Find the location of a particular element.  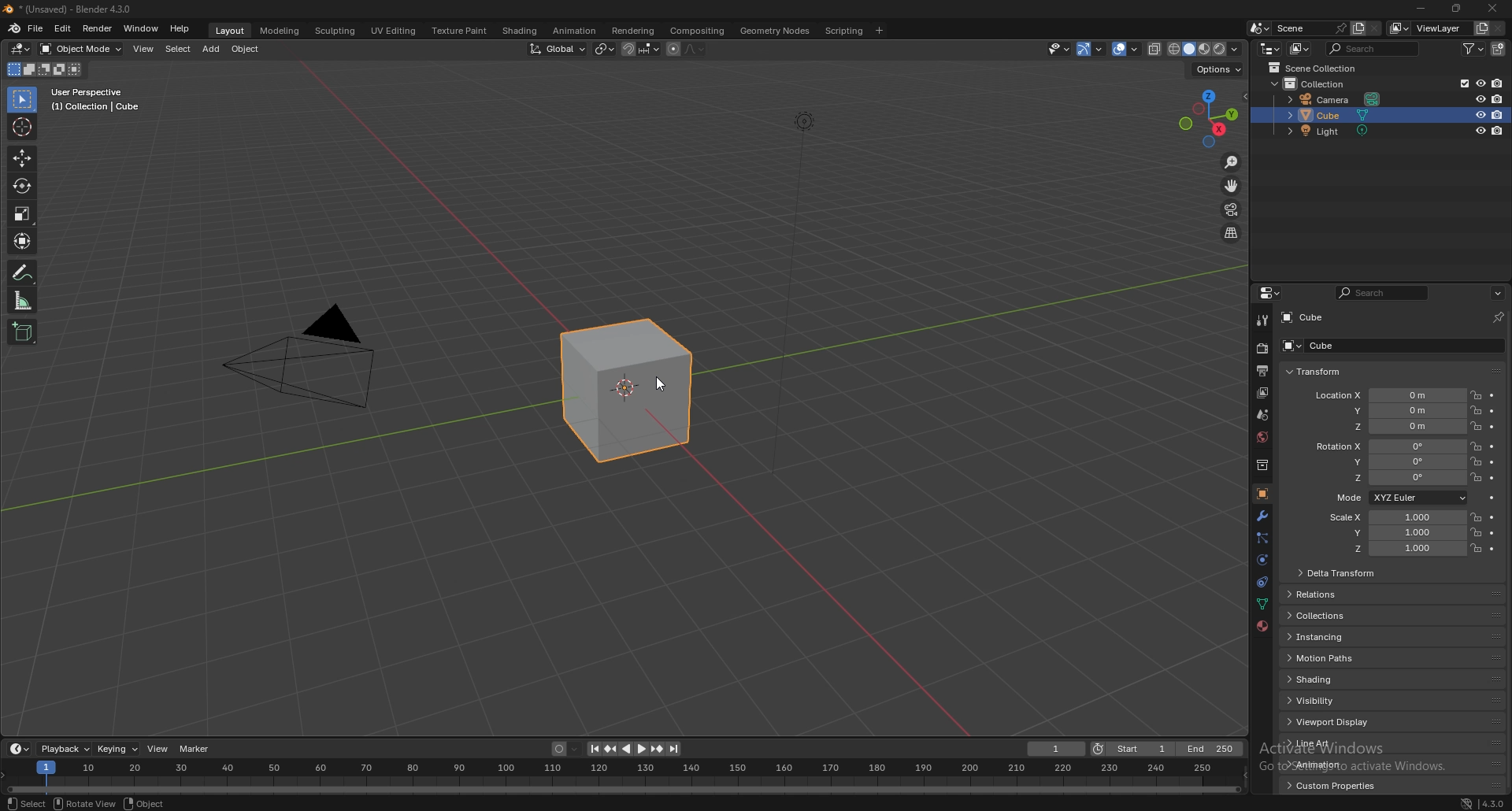

play animation is located at coordinates (635, 749).